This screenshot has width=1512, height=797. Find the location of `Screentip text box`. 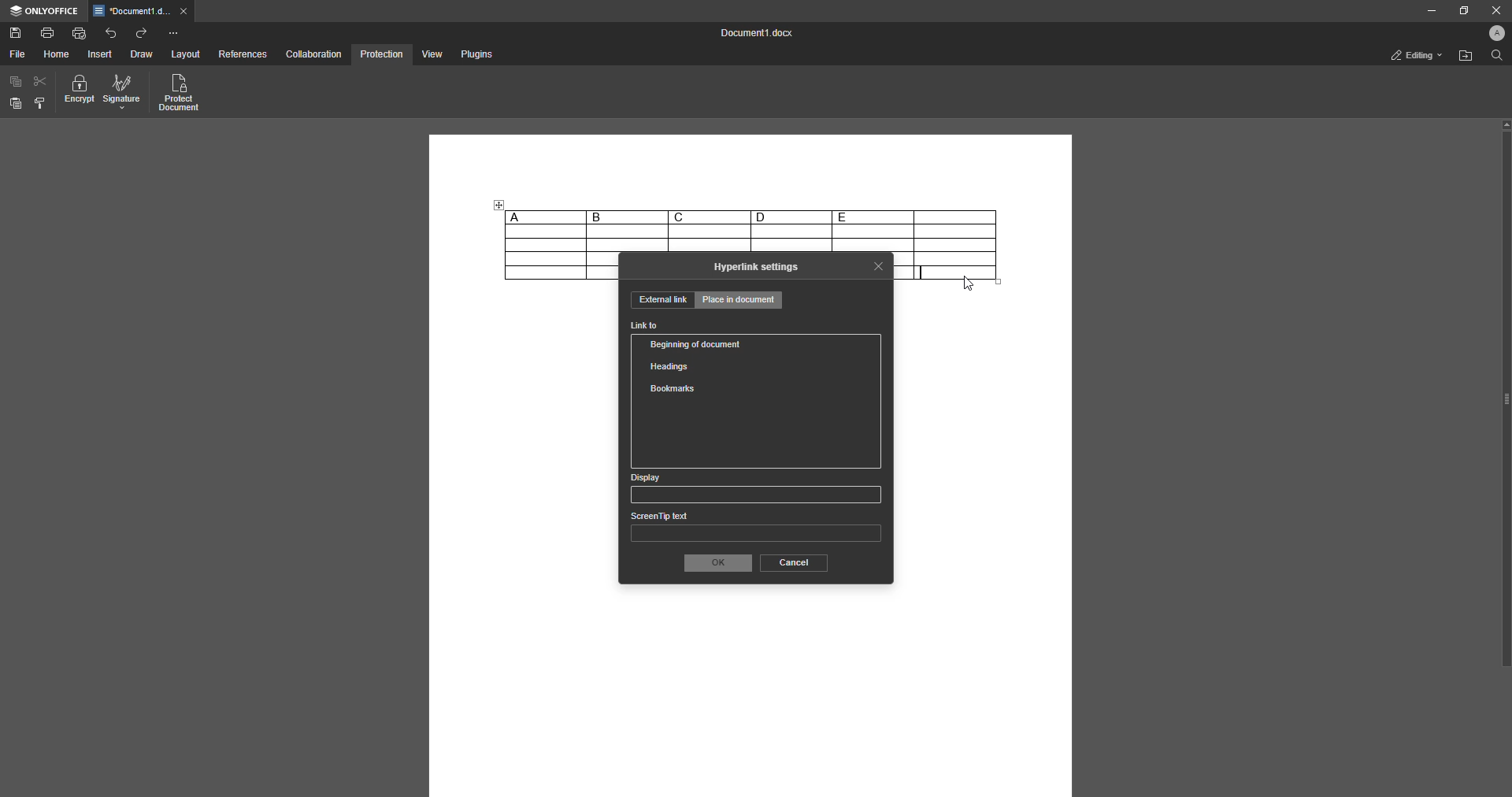

Screentip text box is located at coordinates (755, 530).